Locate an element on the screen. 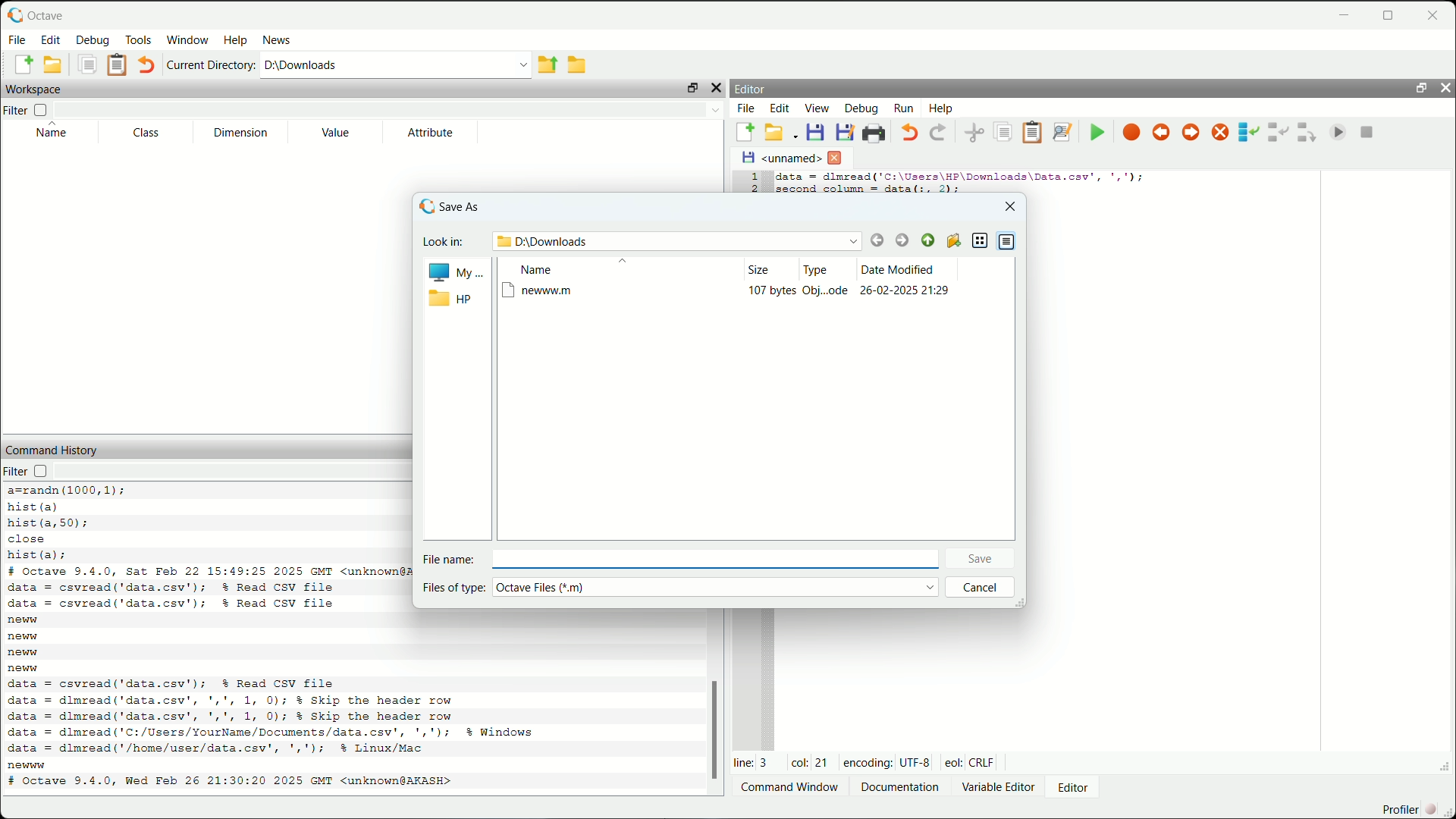 The height and width of the screenshot is (819, 1456). attribute is located at coordinates (431, 133).